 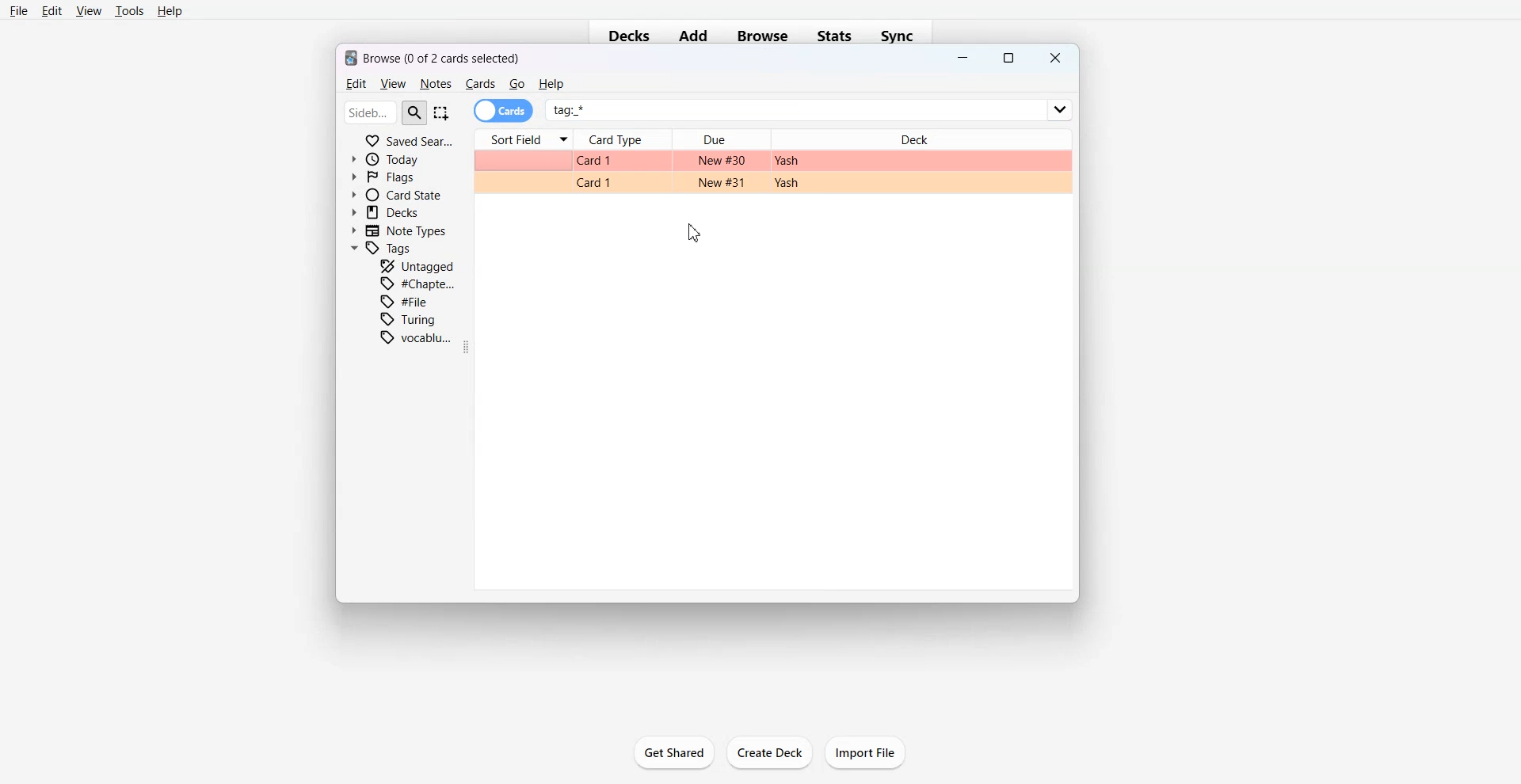 What do you see at coordinates (443, 112) in the screenshot?
I see `Select Item` at bounding box center [443, 112].